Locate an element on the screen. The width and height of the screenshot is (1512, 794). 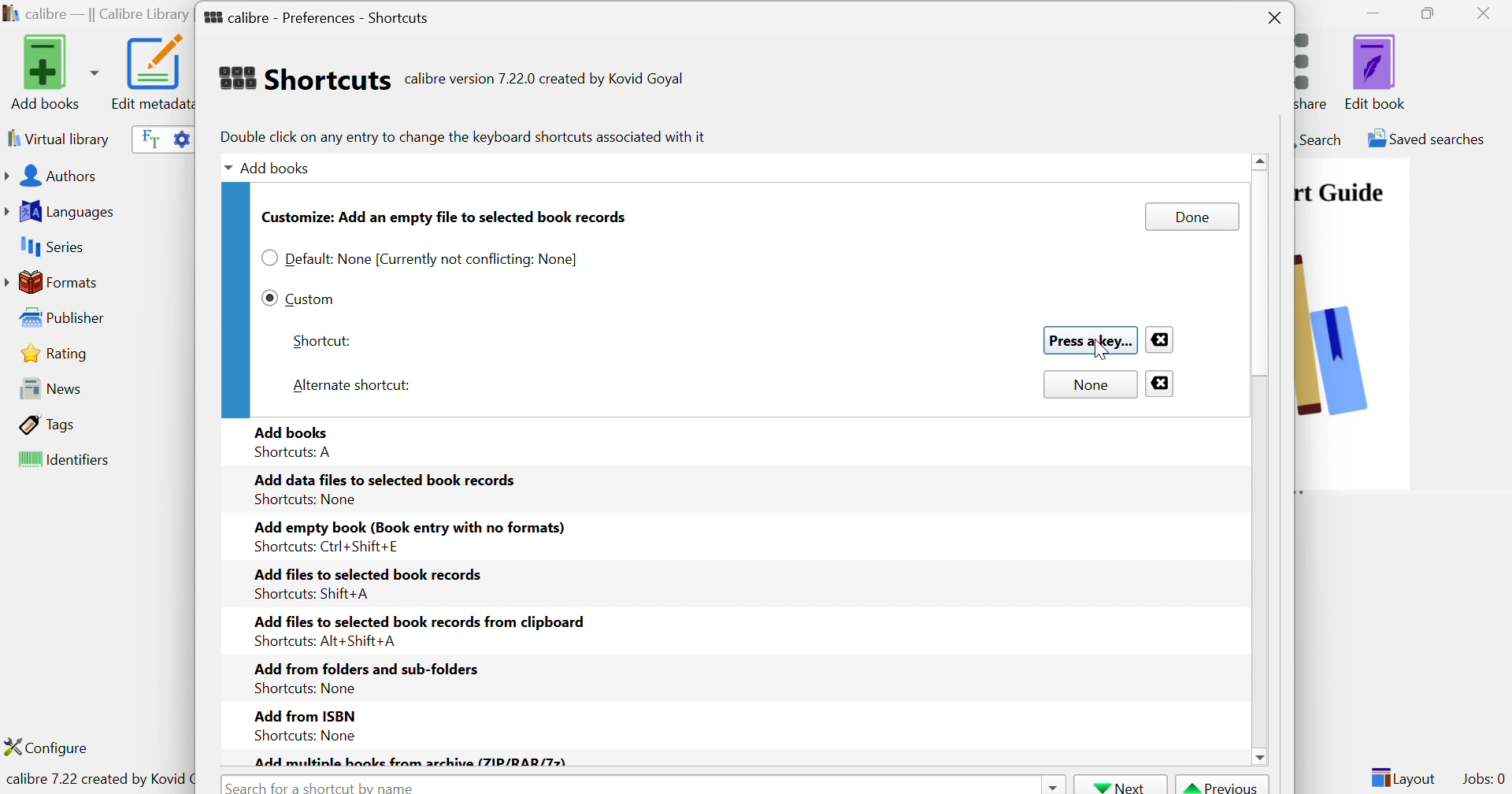
Edit book is located at coordinates (1376, 72).